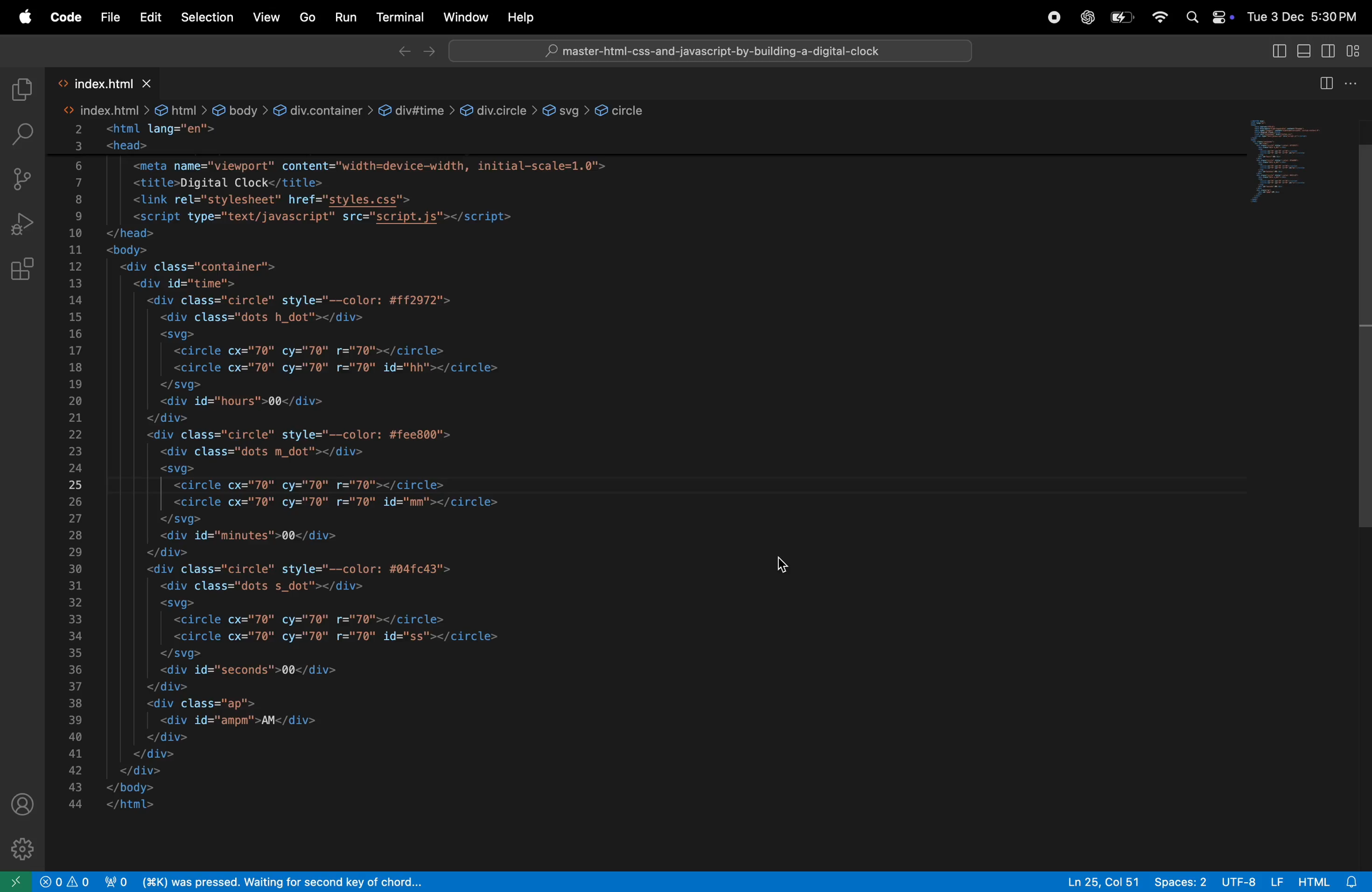 This screenshot has width=1372, height=892. Describe the element at coordinates (107, 17) in the screenshot. I see `file` at that location.